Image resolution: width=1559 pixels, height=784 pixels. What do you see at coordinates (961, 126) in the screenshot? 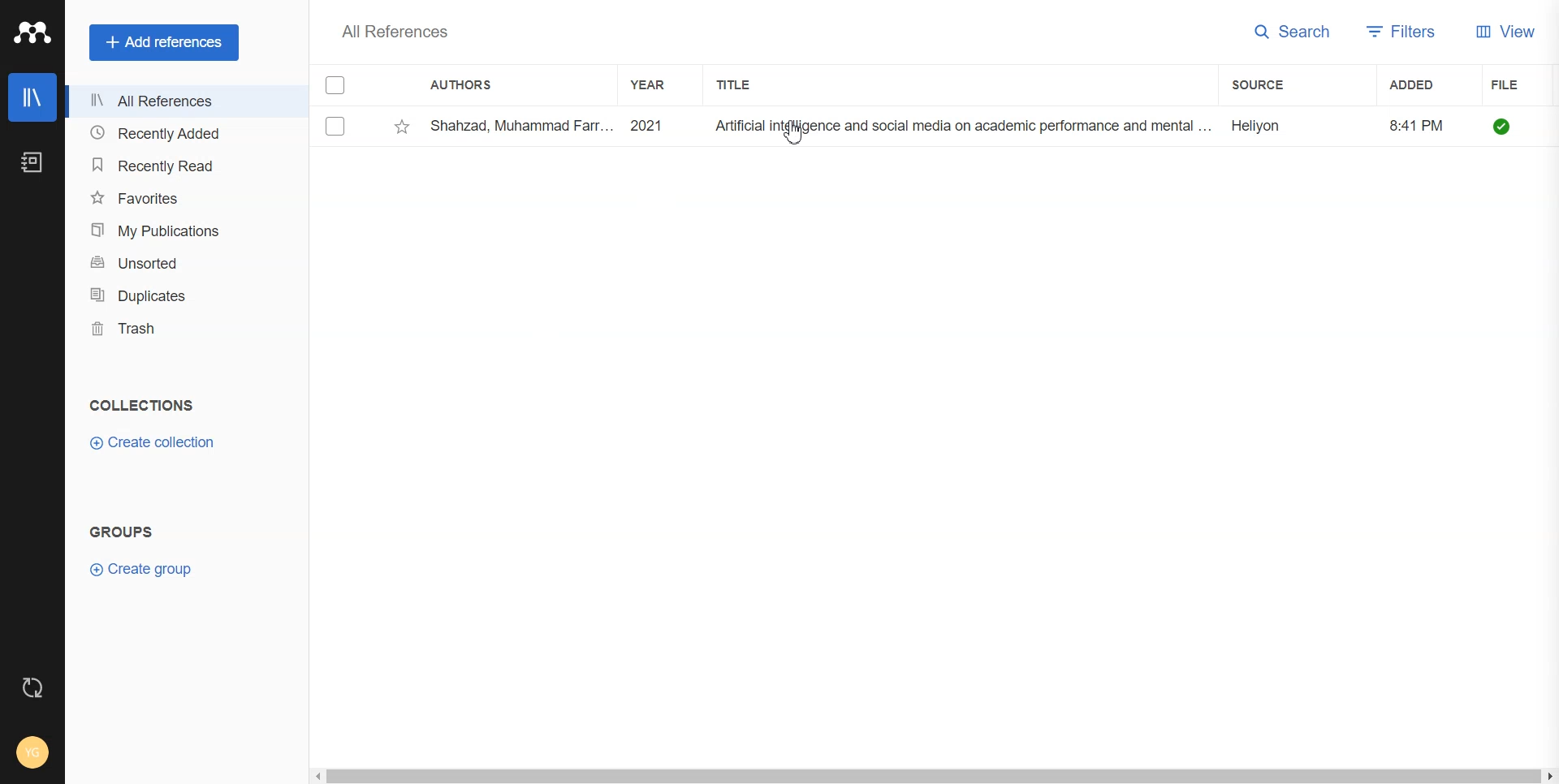
I see `Artificial Intelligence and social media on academic performance and mental...` at bounding box center [961, 126].